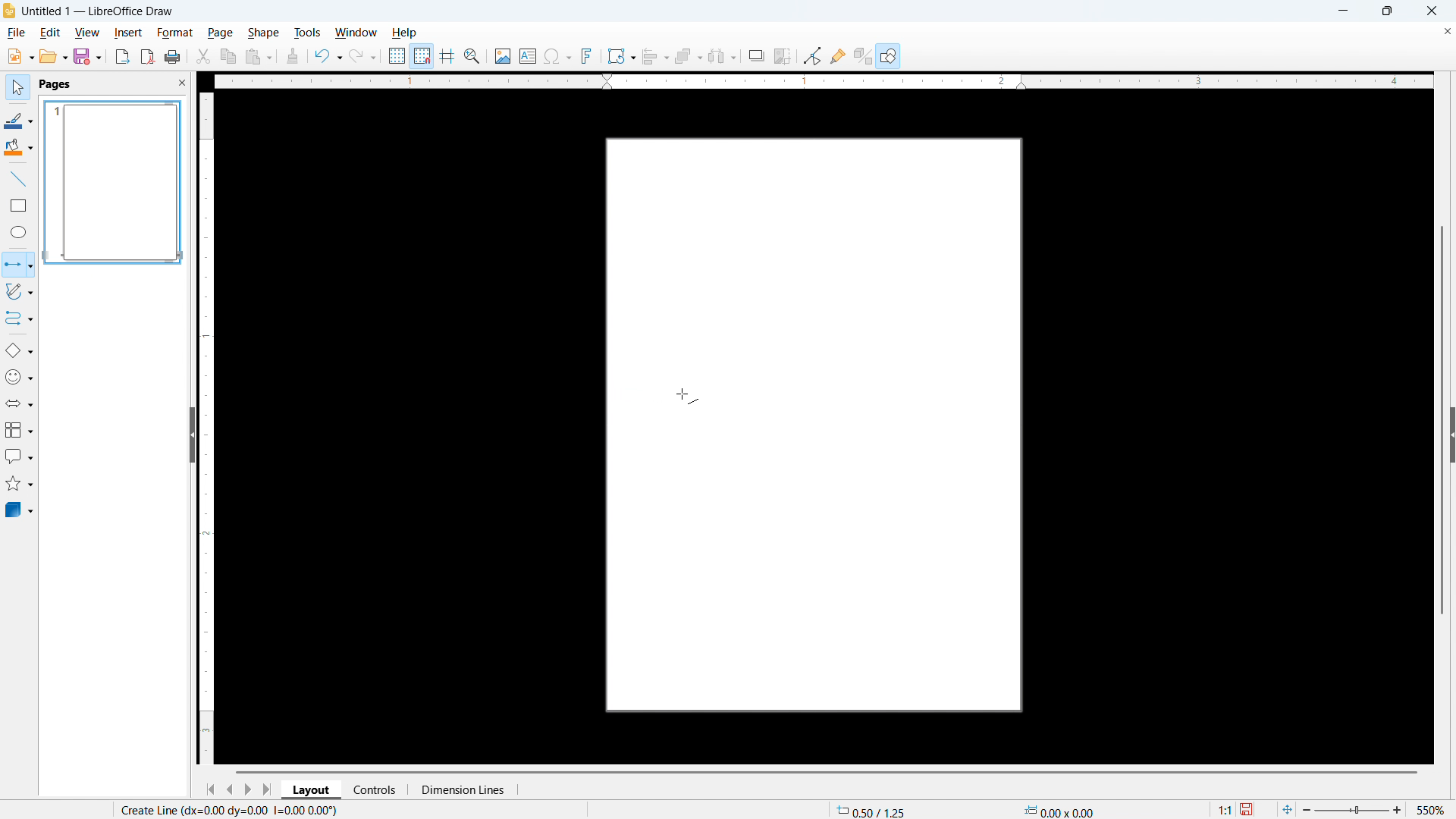 The image size is (1456, 819). I want to click on align , so click(656, 57).